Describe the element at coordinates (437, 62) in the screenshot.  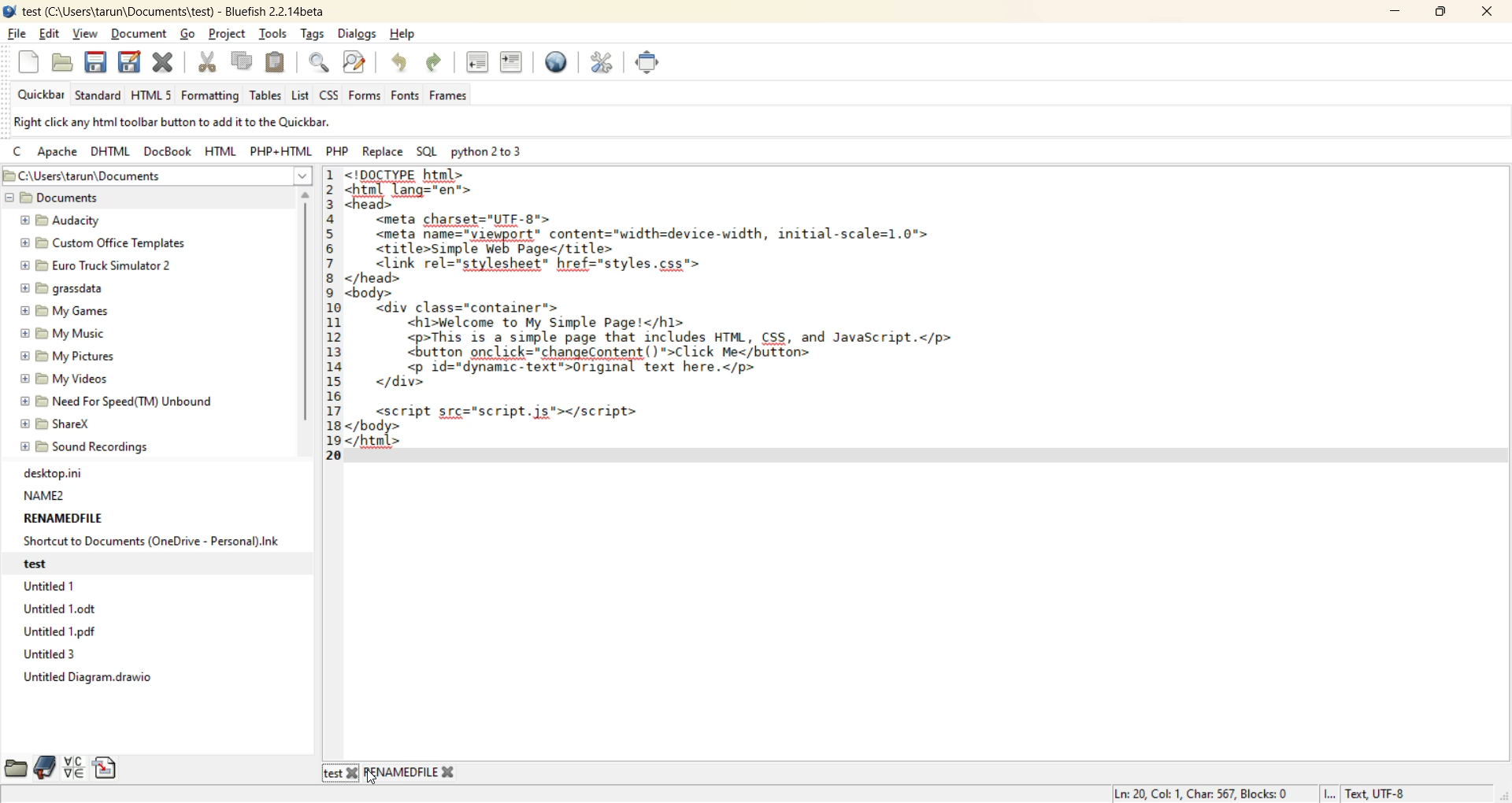
I see `redo` at that location.